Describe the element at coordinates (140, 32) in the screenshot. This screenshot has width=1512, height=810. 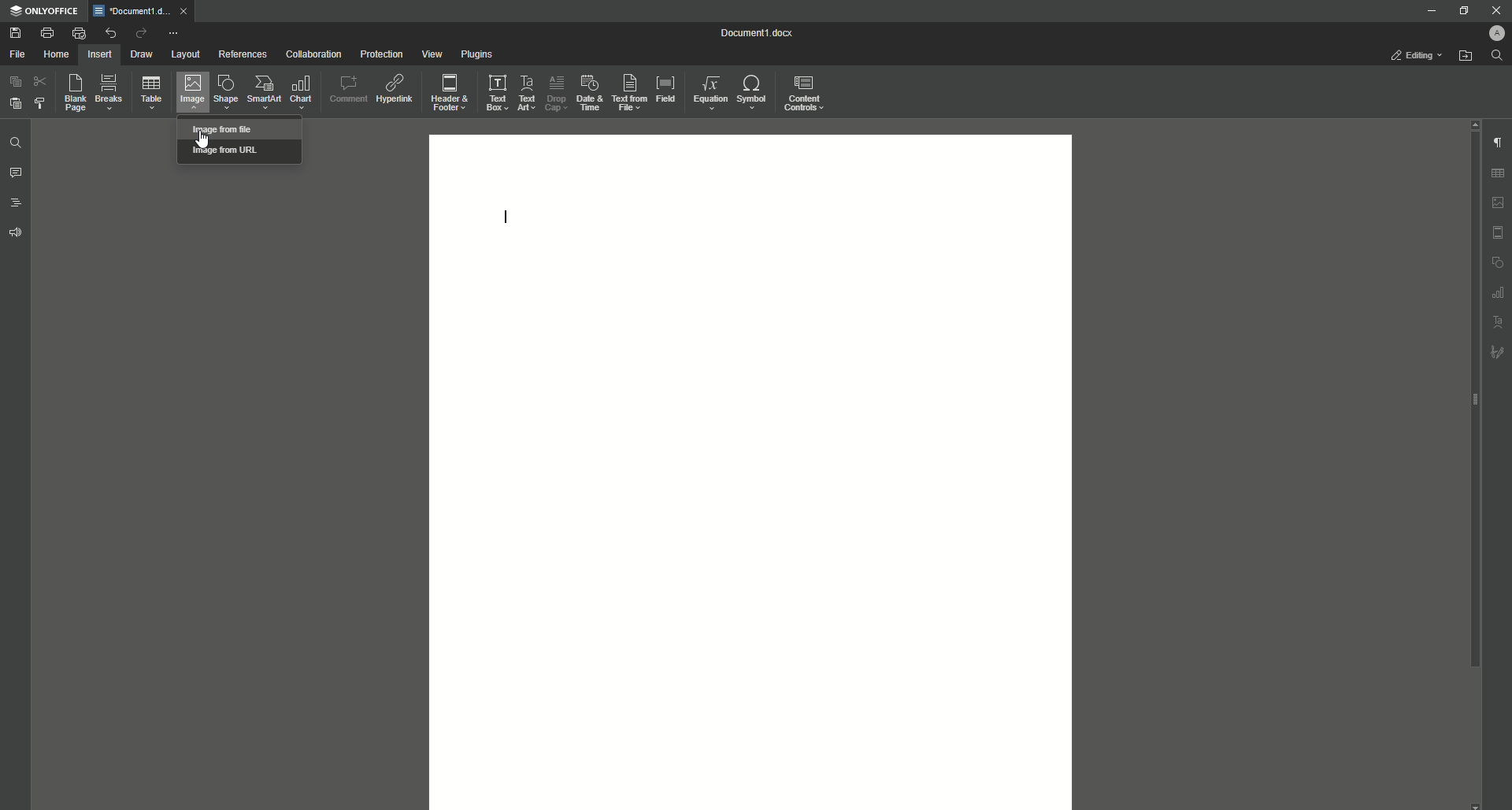
I see `Redo` at that location.